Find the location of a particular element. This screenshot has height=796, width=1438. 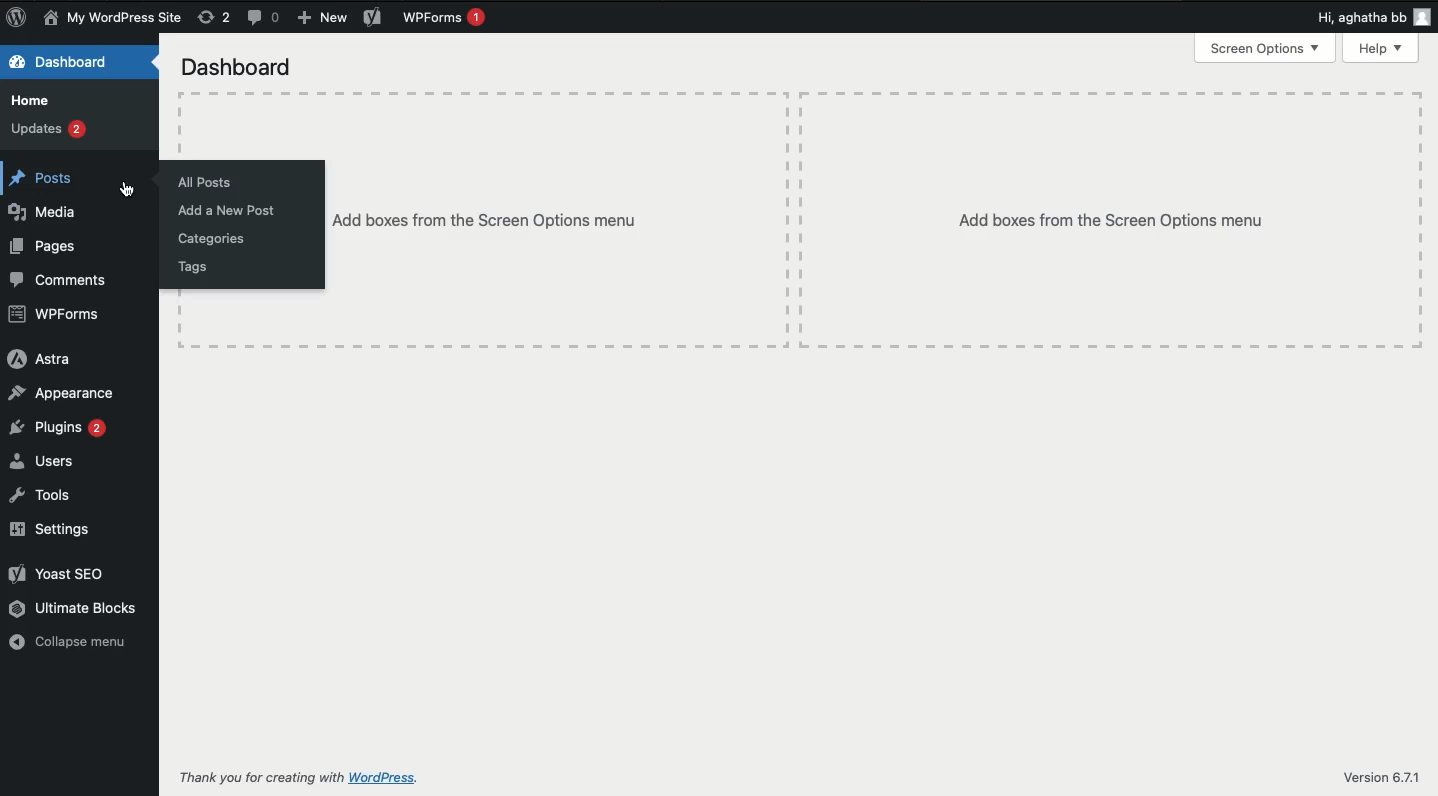

Tags is located at coordinates (198, 266).